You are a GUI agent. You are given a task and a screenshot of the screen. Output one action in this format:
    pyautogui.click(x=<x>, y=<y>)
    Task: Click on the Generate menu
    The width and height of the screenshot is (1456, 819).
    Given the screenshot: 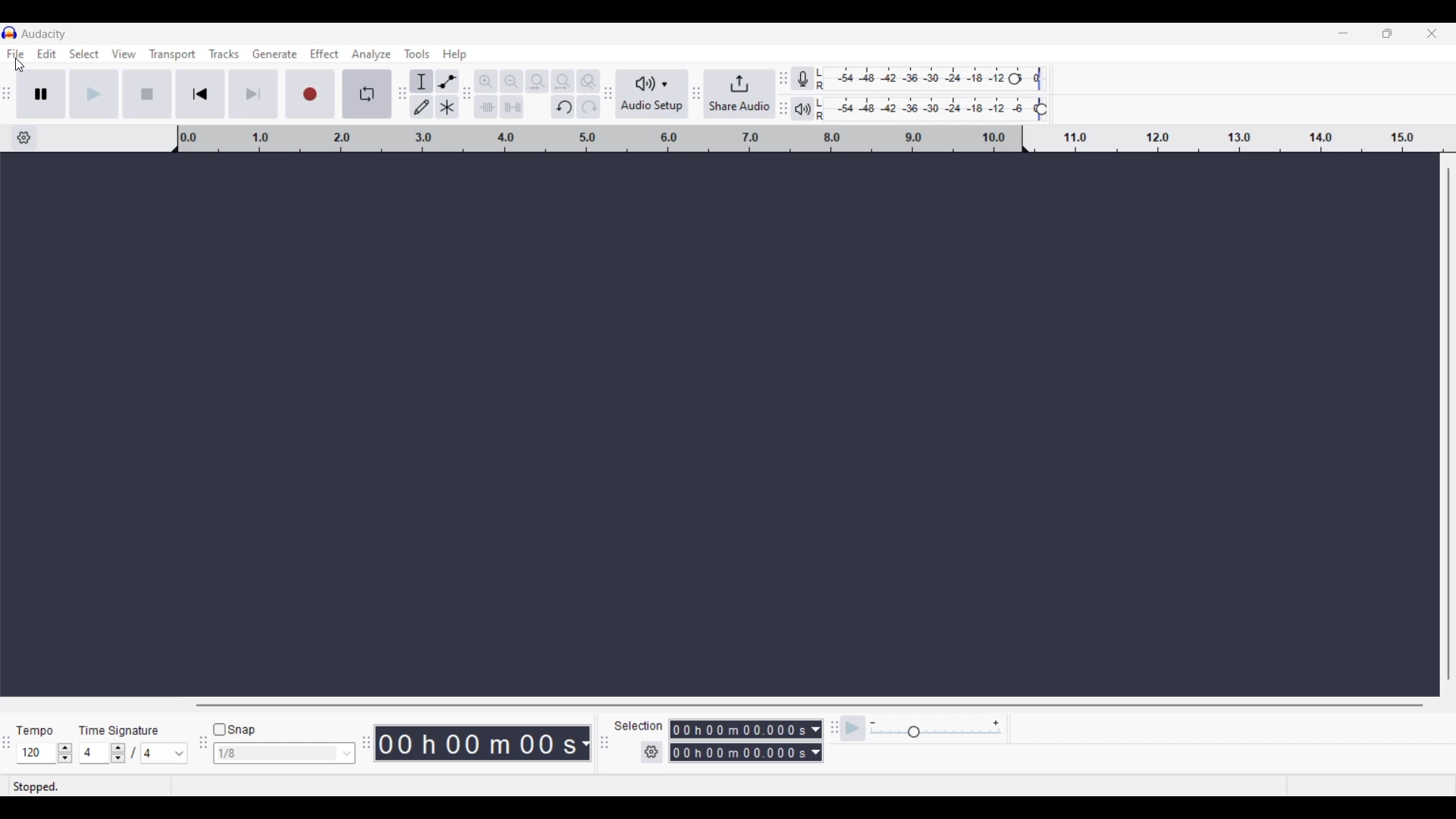 What is the action you would take?
    pyautogui.click(x=275, y=54)
    